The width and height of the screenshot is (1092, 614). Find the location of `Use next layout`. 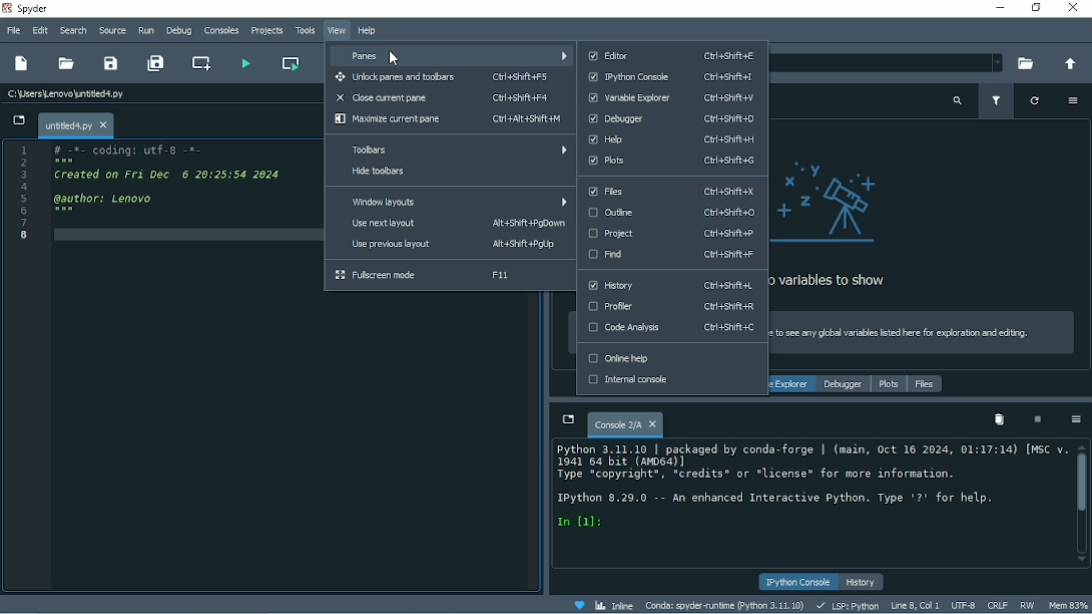

Use next layout is located at coordinates (448, 224).